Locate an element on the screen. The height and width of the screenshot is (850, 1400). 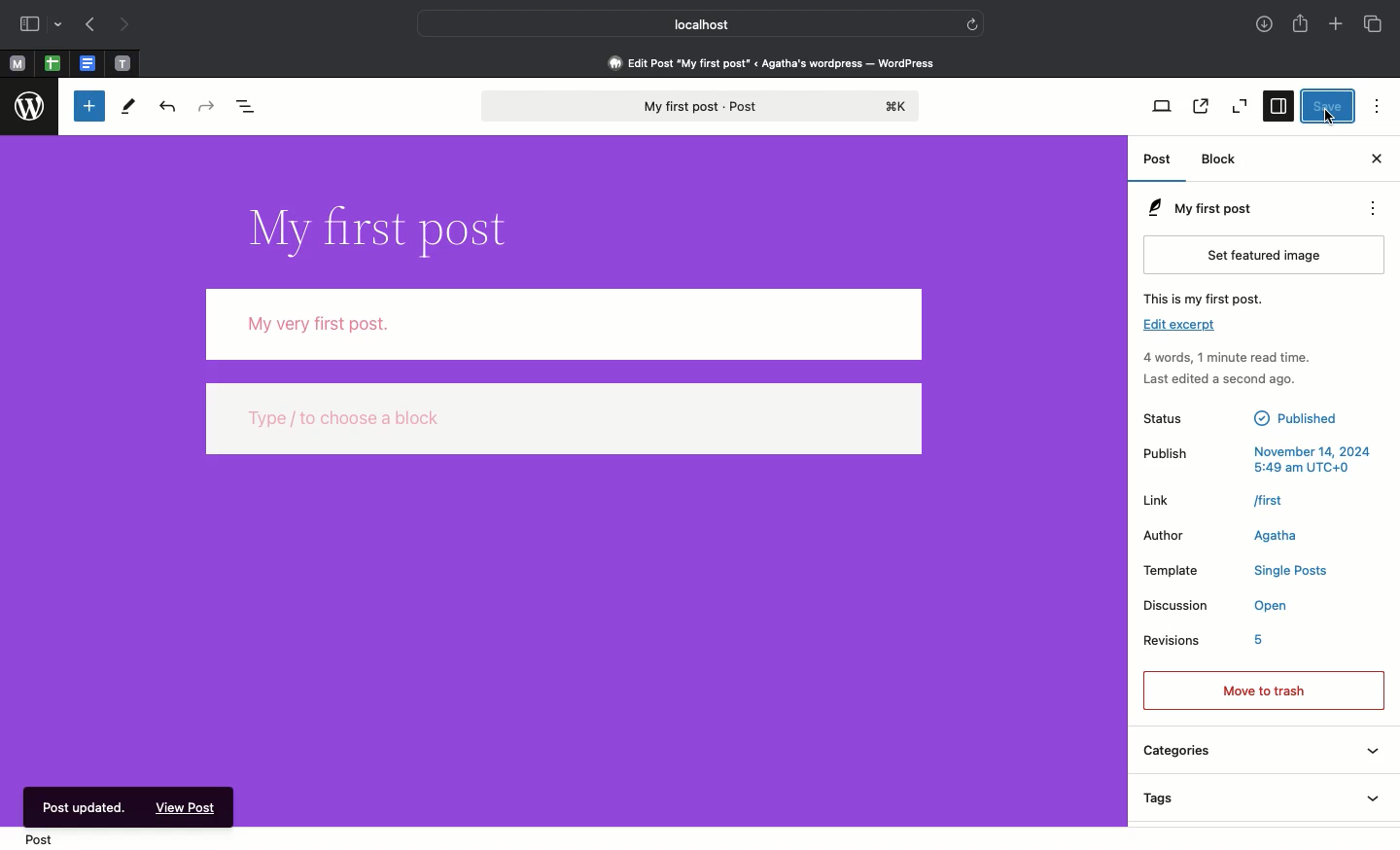
My first post is located at coordinates (1197, 208).